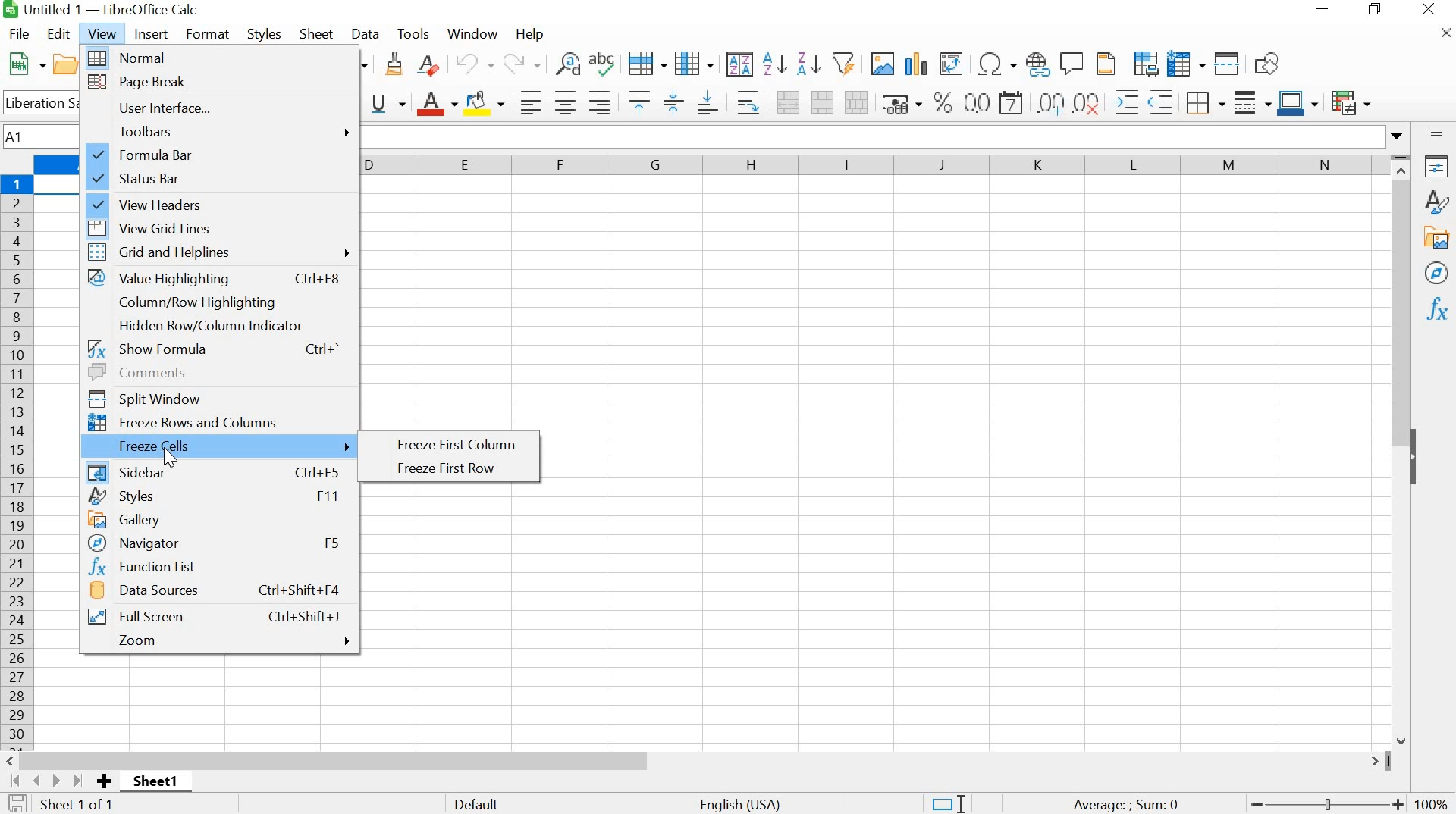 The width and height of the screenshot is (1456, 814). Describe the element at coordinates (1270, 64) in the screenshot. I see `SHOW DRAW FUNCTIONS` at that location.